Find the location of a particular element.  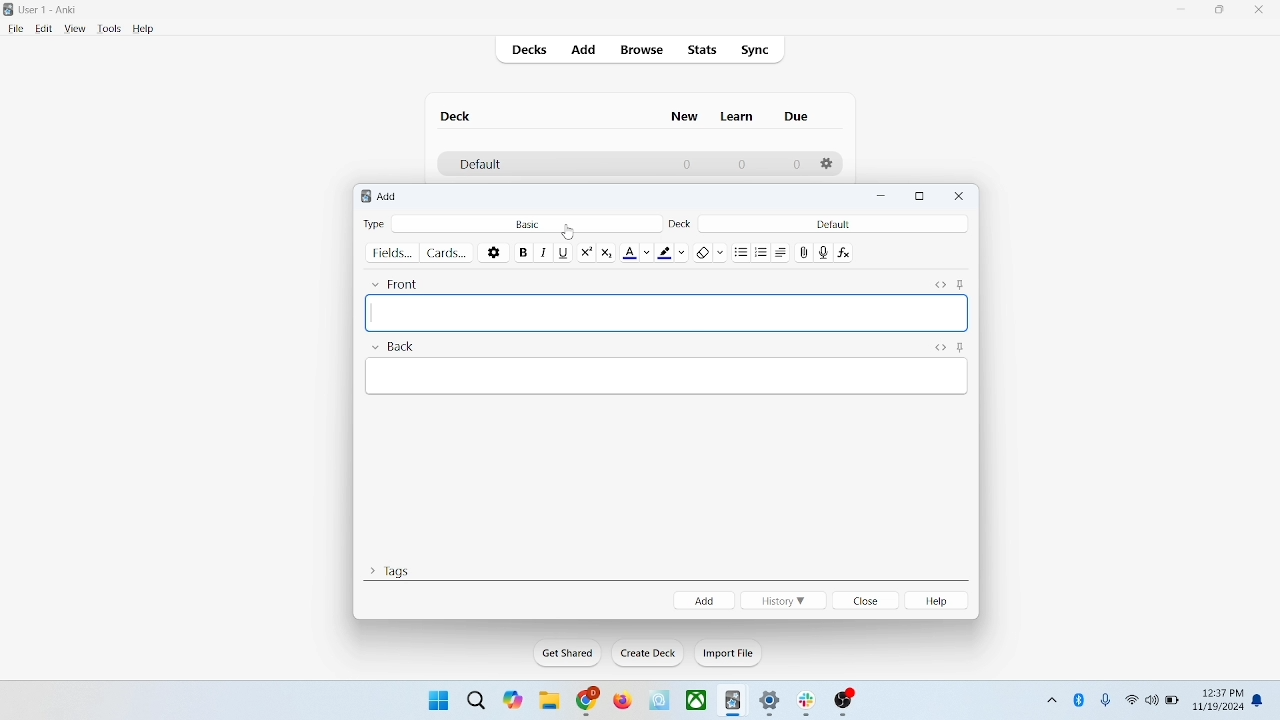

create deck is located at coordinates (649, 653).